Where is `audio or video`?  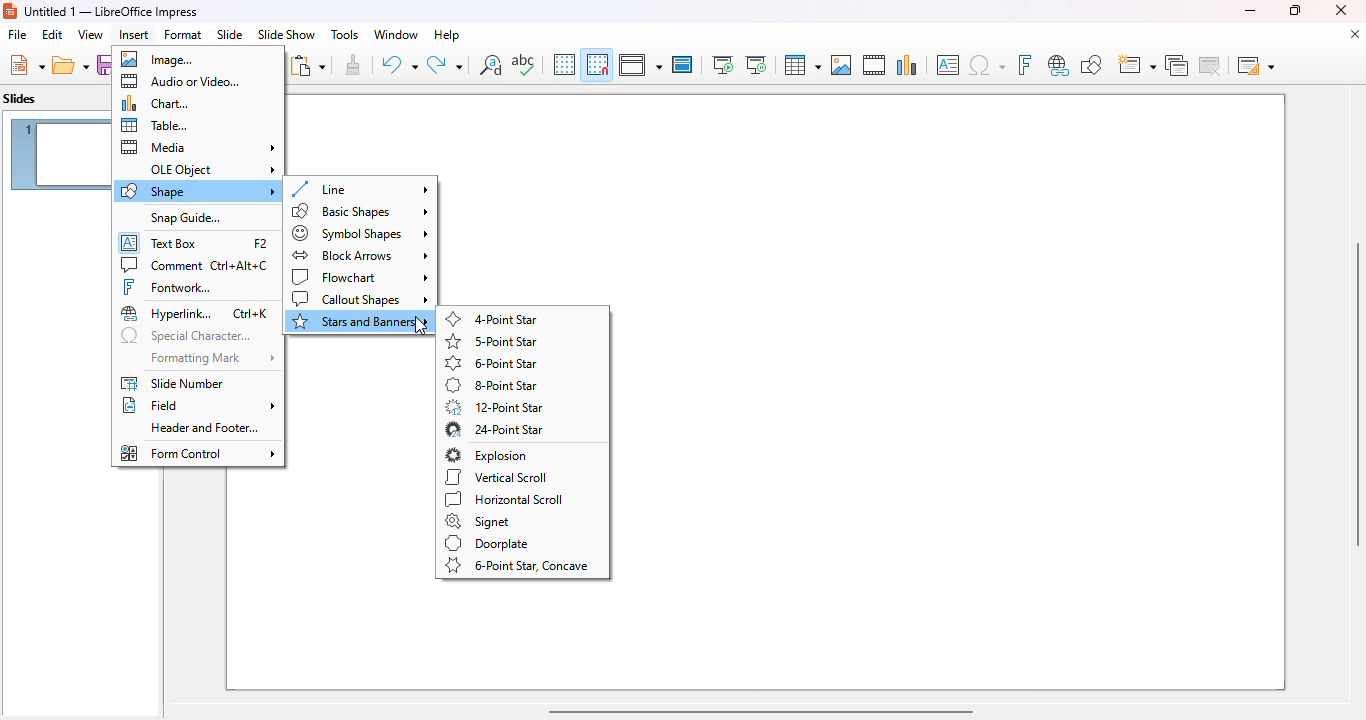 audio or video is located at coordinates (181, 81).